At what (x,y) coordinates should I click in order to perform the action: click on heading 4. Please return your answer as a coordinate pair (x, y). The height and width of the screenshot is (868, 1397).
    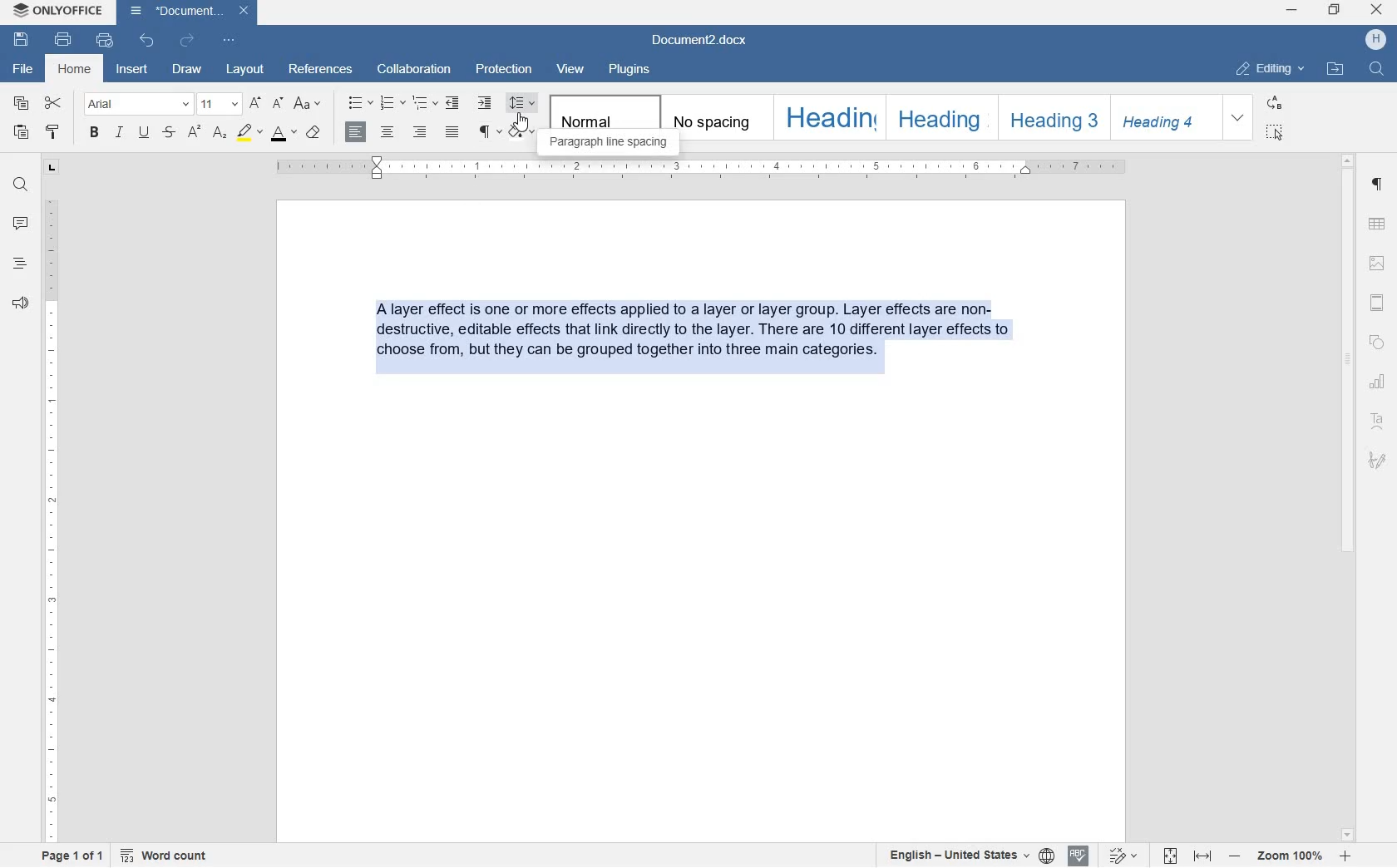
    Looking at the image, I should click on (1166, 118).